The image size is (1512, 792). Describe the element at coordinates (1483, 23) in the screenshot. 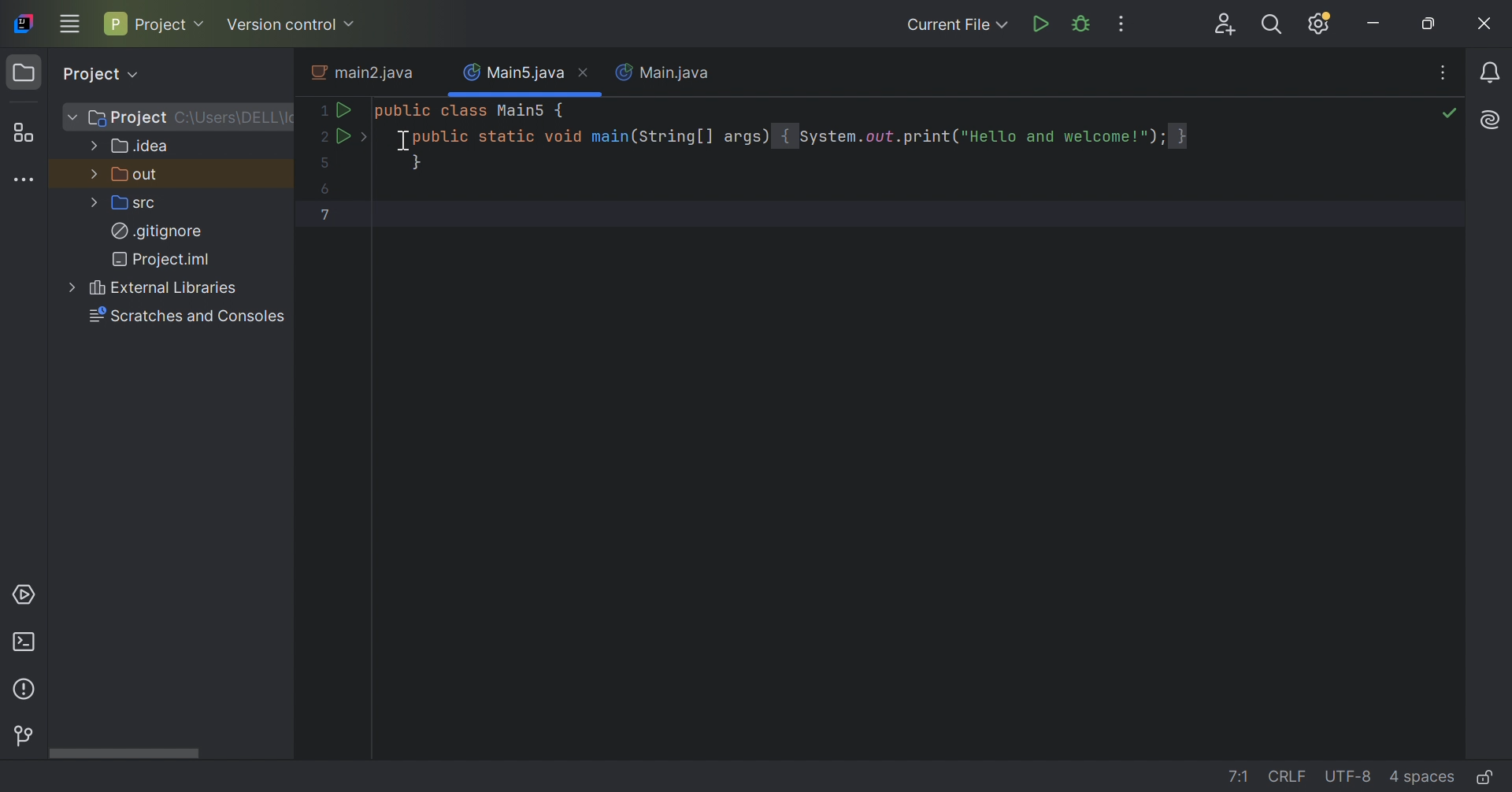

I see `Close` at that location.